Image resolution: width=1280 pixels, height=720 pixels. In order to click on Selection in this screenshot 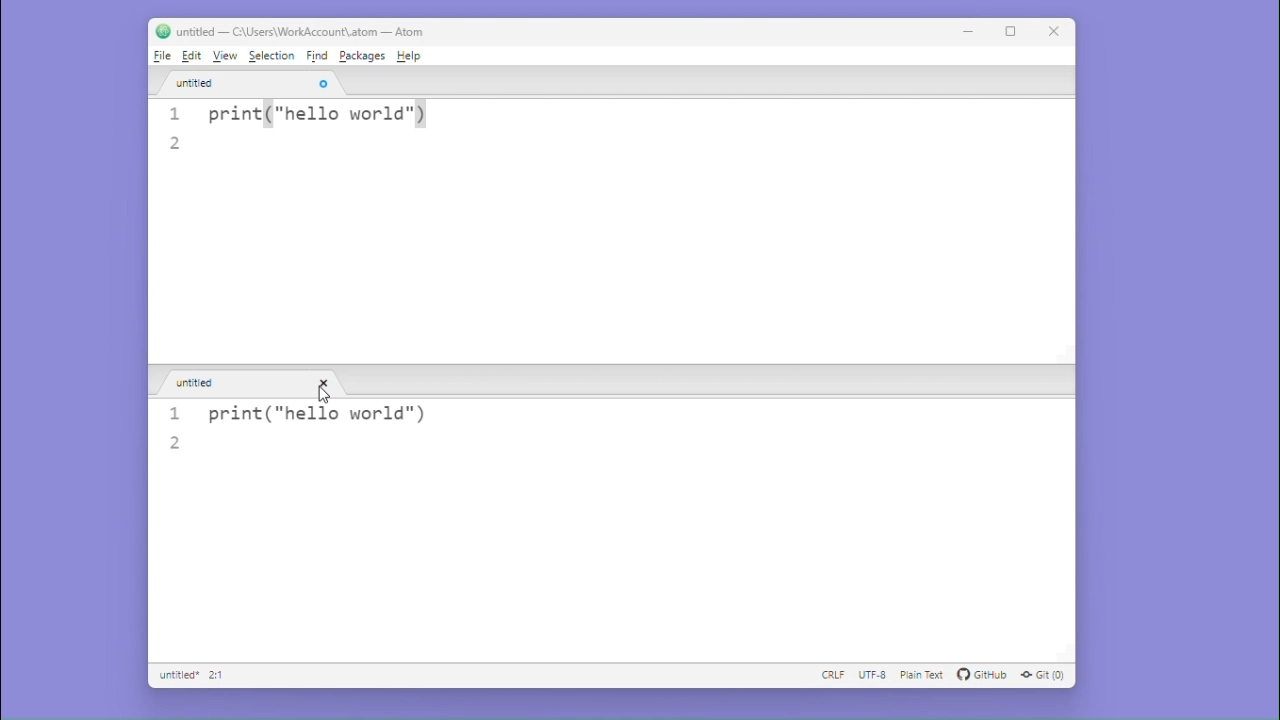, I will do `click(272, 57)`.